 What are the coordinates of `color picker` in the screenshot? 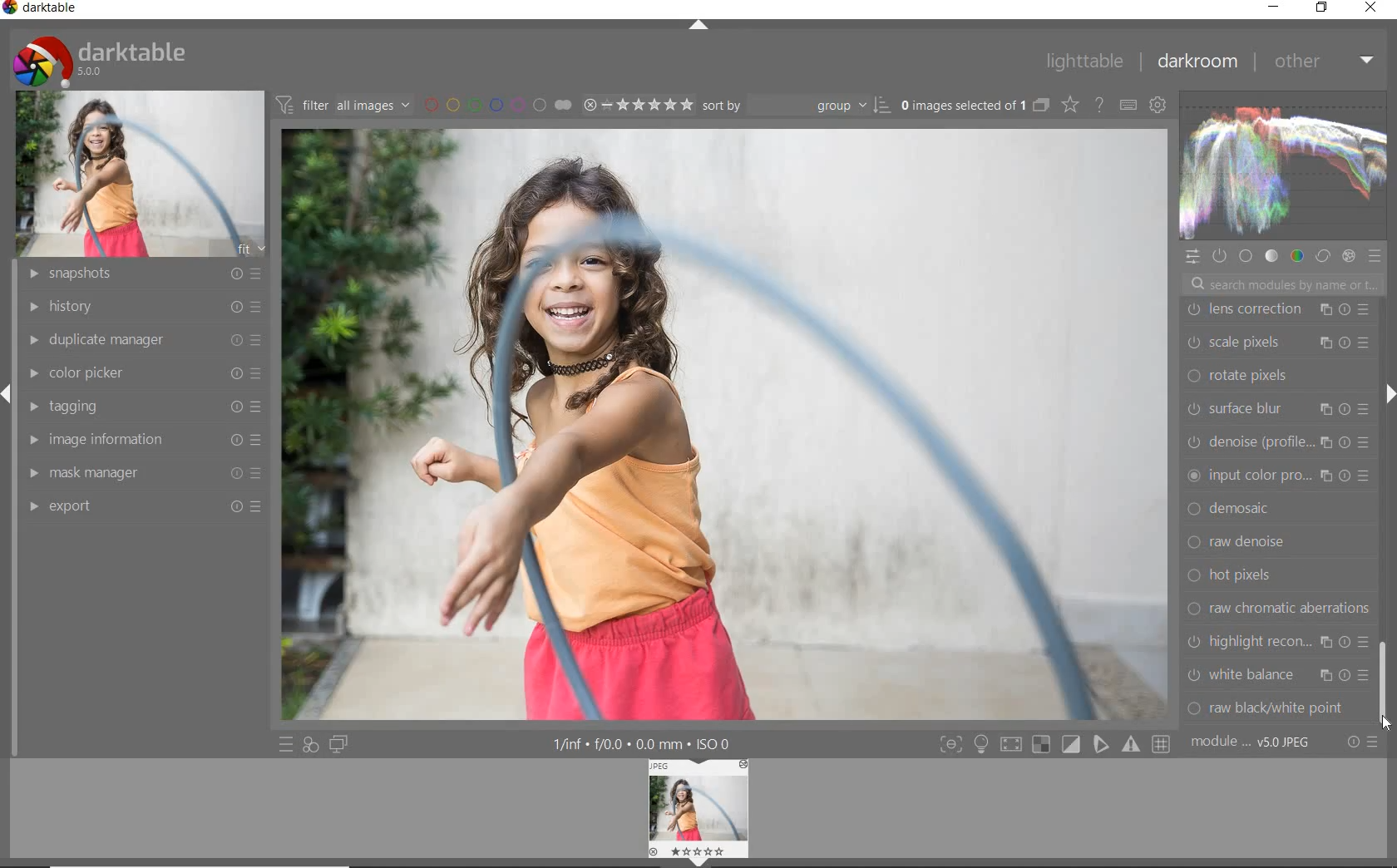 It's located at (149, 370).